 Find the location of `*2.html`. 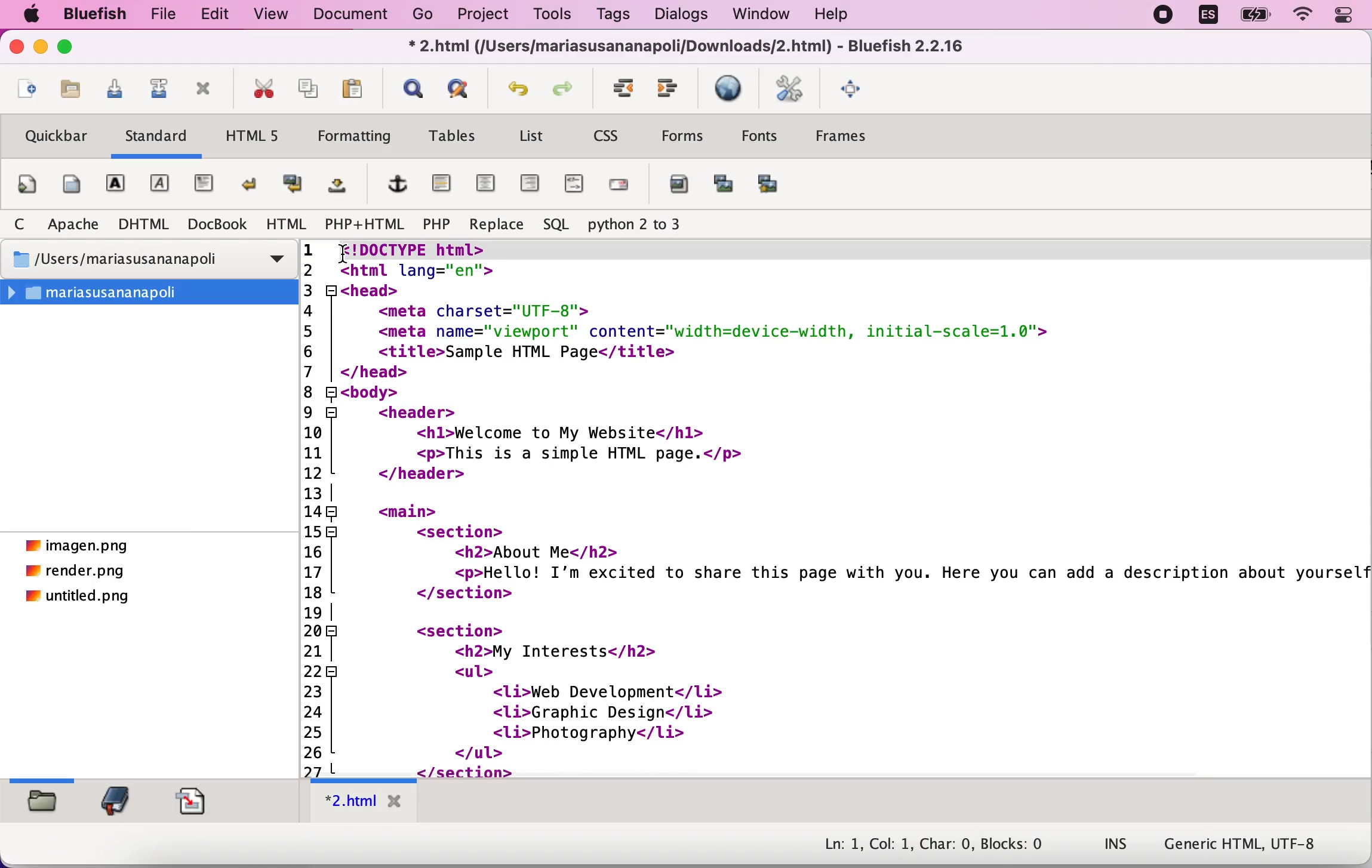

*2.html is located at coordinates (364, 804).